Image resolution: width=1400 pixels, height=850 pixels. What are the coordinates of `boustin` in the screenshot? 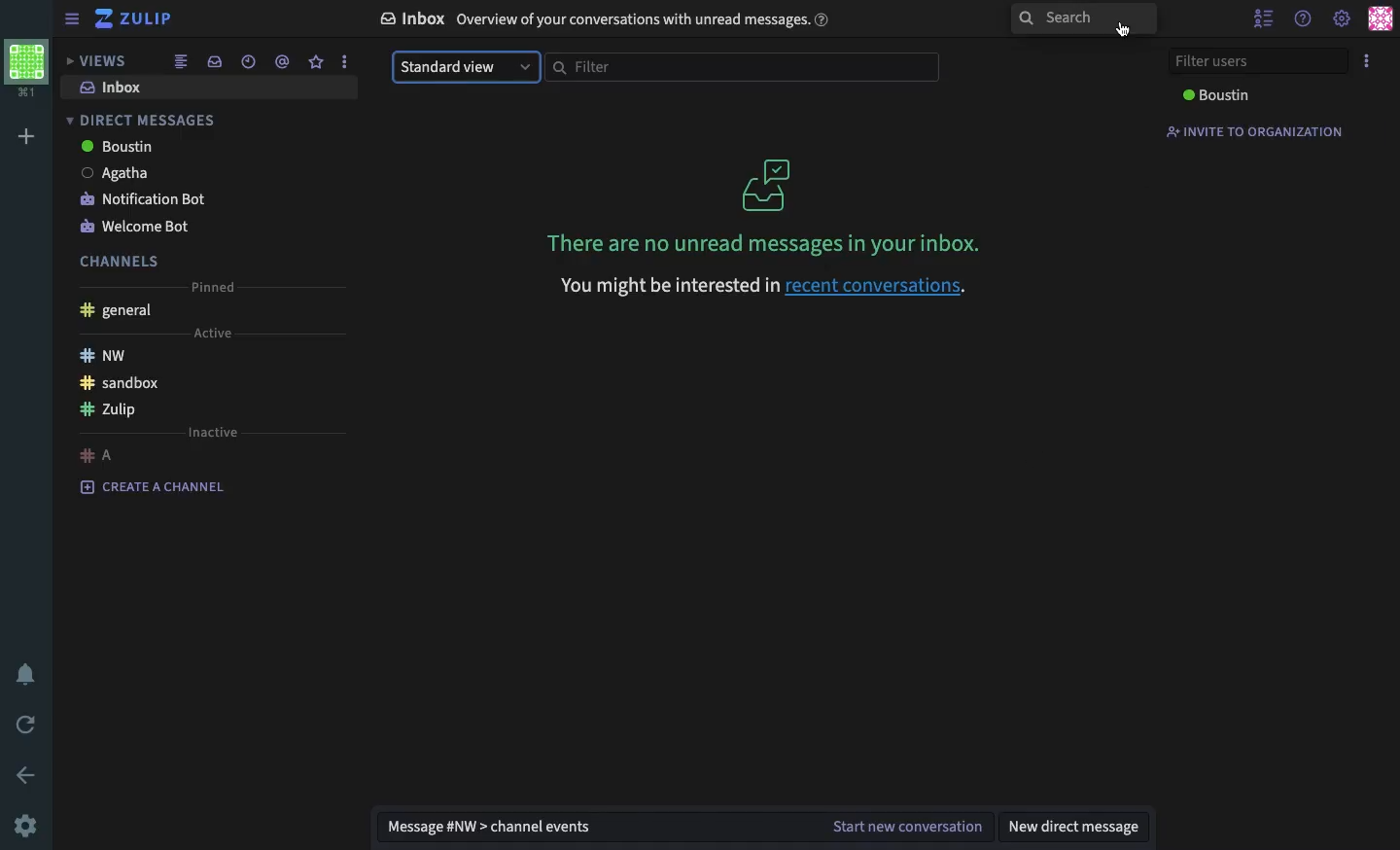 It's located at (116, 147).